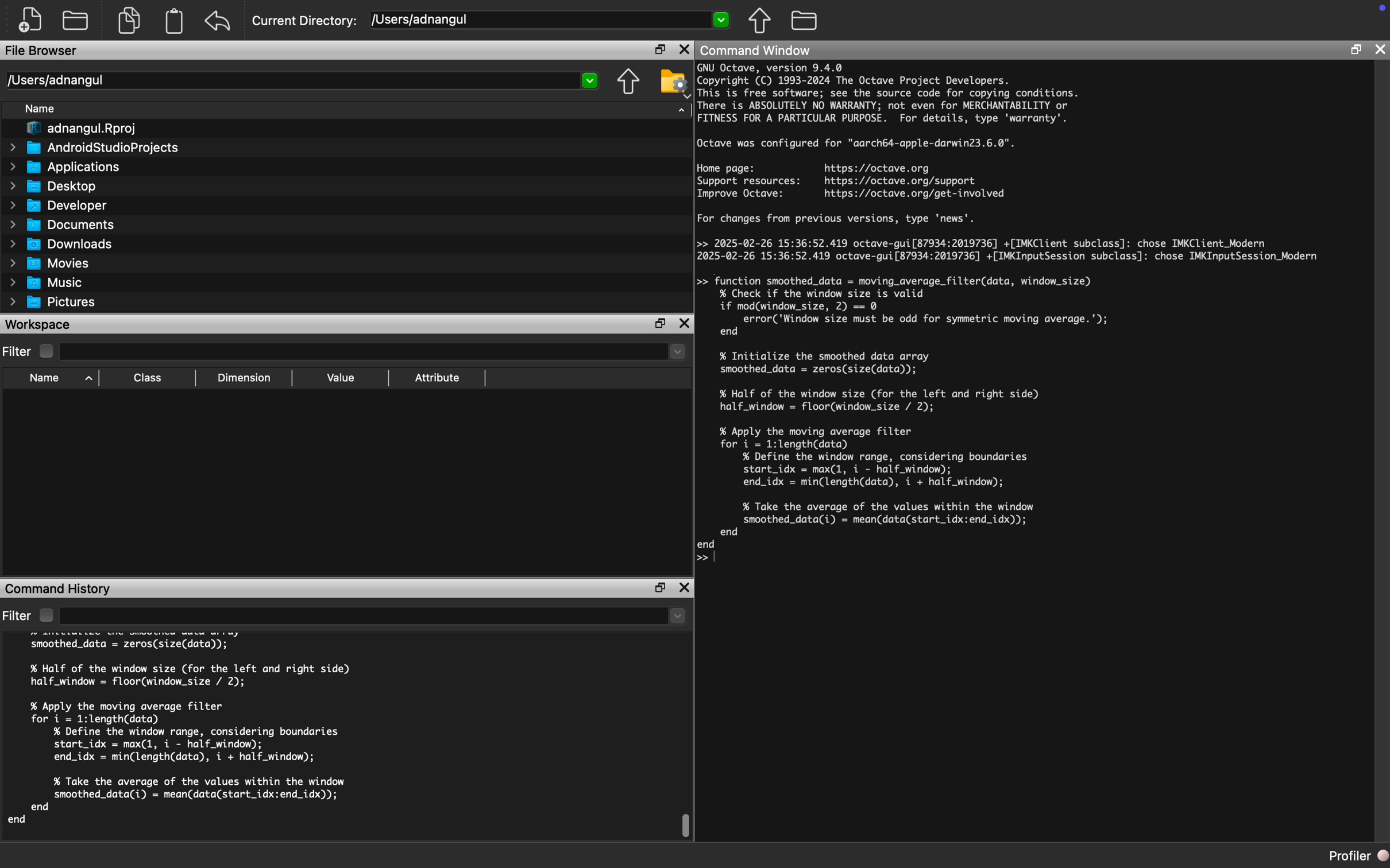 The width and height of the screenshot is (1390, 868). I want to click on Desktop, so click(53, 186).